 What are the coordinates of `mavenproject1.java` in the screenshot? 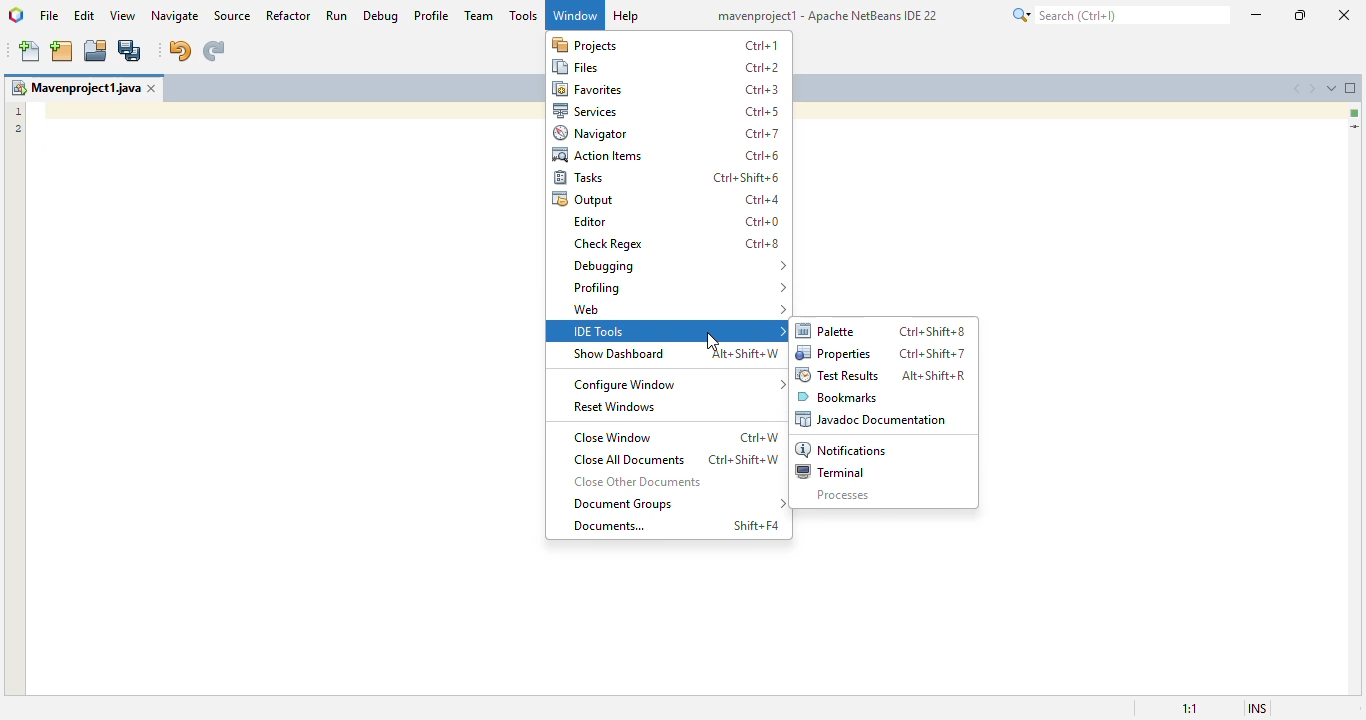 It's located at (75, 87).